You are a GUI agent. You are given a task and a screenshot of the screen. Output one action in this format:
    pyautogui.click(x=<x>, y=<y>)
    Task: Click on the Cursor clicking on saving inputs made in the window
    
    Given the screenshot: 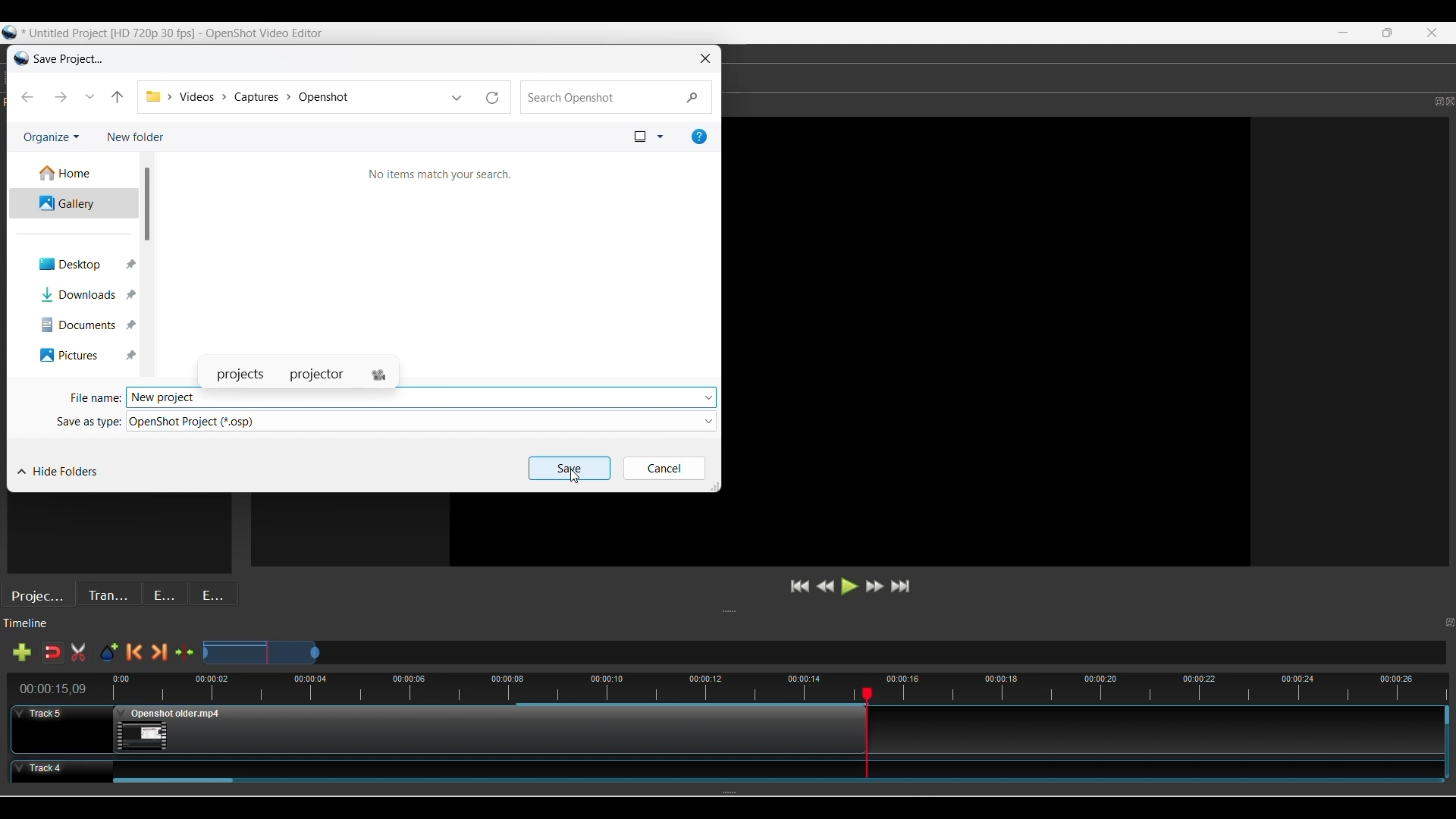 What is the action you would take?
    pyautogui.click(x=574, y=476)
    